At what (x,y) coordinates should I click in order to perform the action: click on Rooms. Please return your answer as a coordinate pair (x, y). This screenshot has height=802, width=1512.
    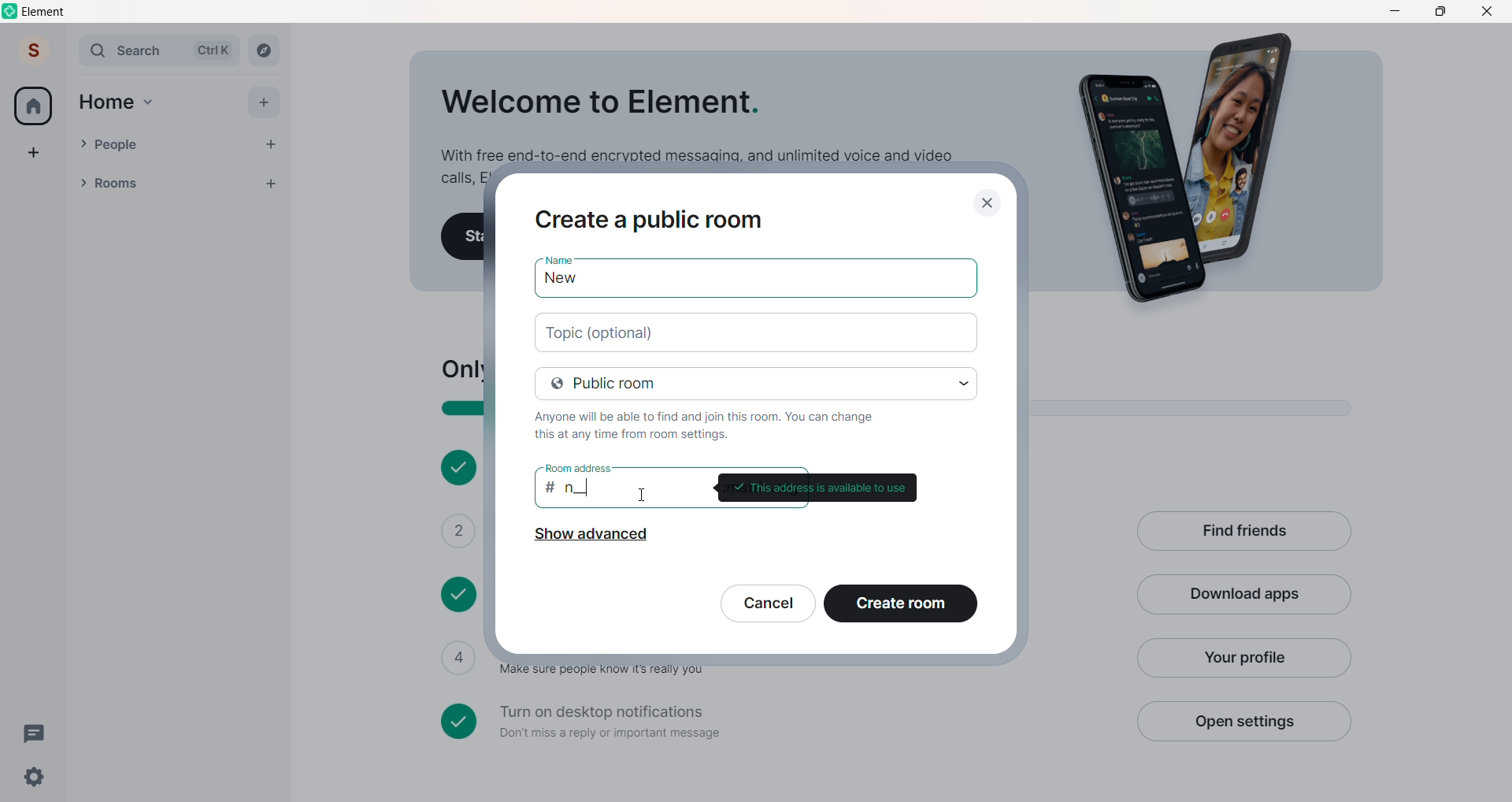
    Looking at the image, I should click on (158, 184).